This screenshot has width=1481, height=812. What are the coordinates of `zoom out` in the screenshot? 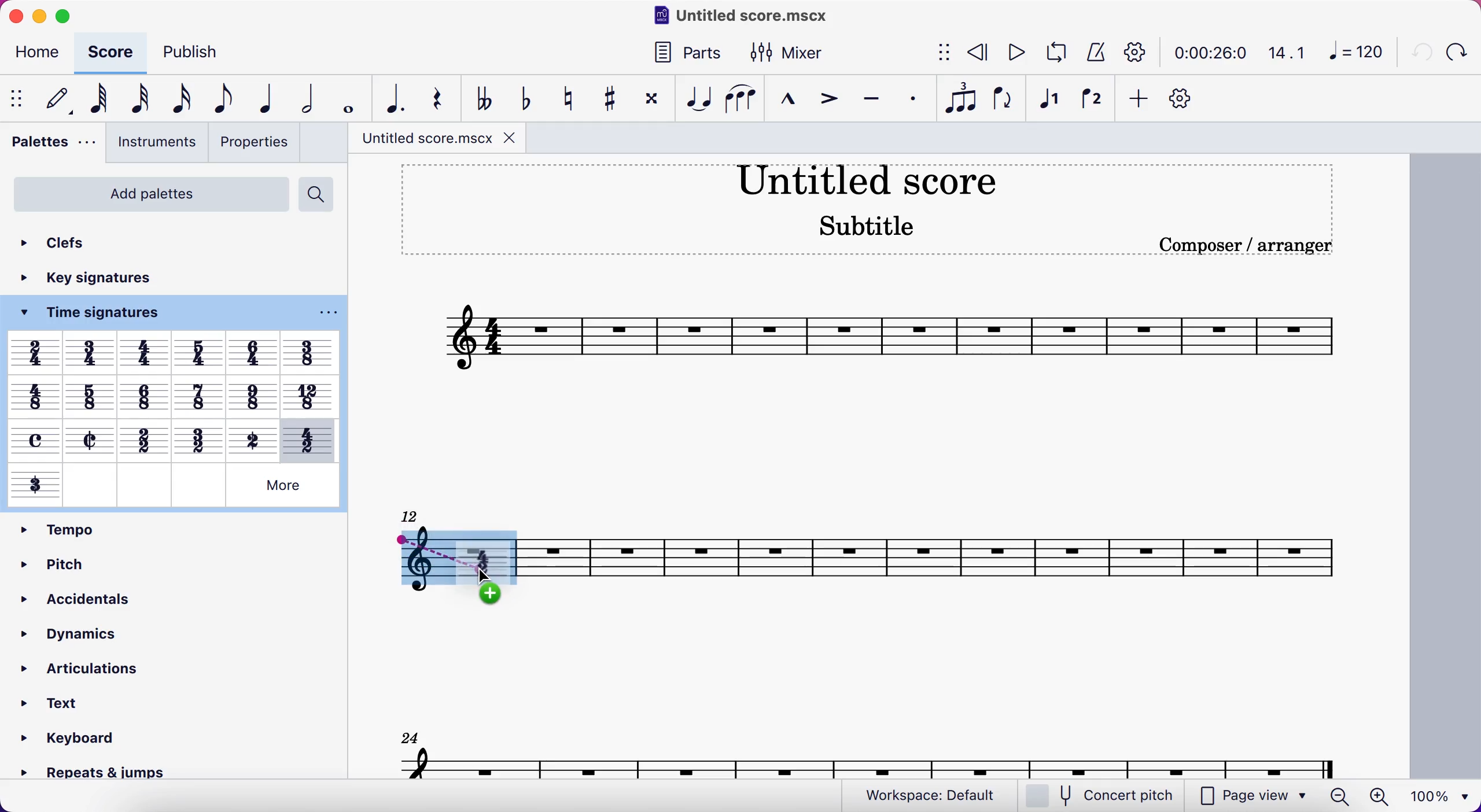 It's located at (1342, 796).